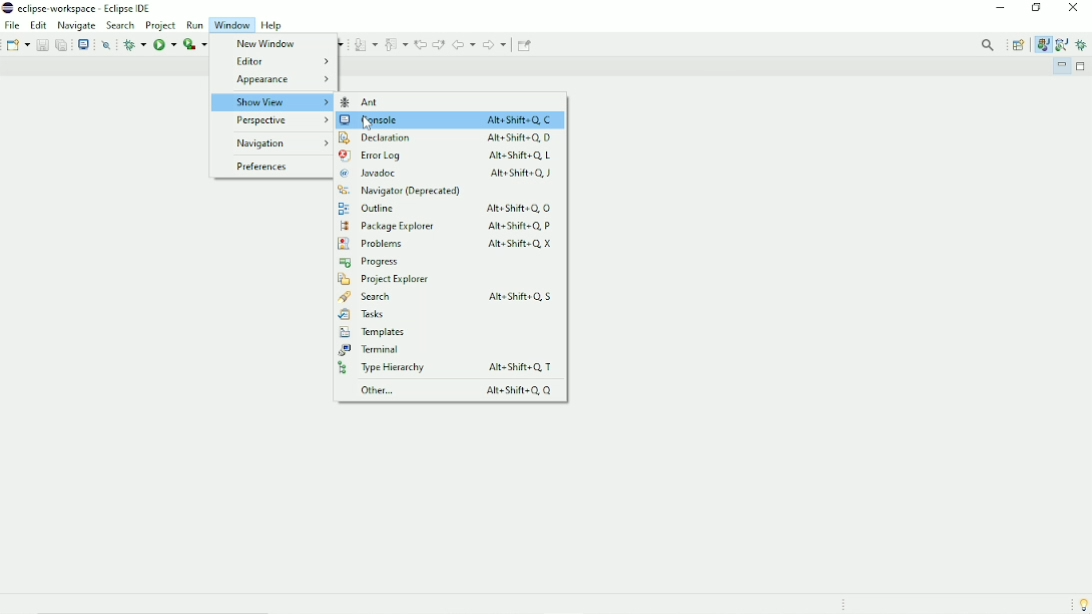 Image resolution: width=1092 pixels, height=614 pixels. Describe the element at coordinates (369, 102) in the screenshot. I see `Ant` at that location.